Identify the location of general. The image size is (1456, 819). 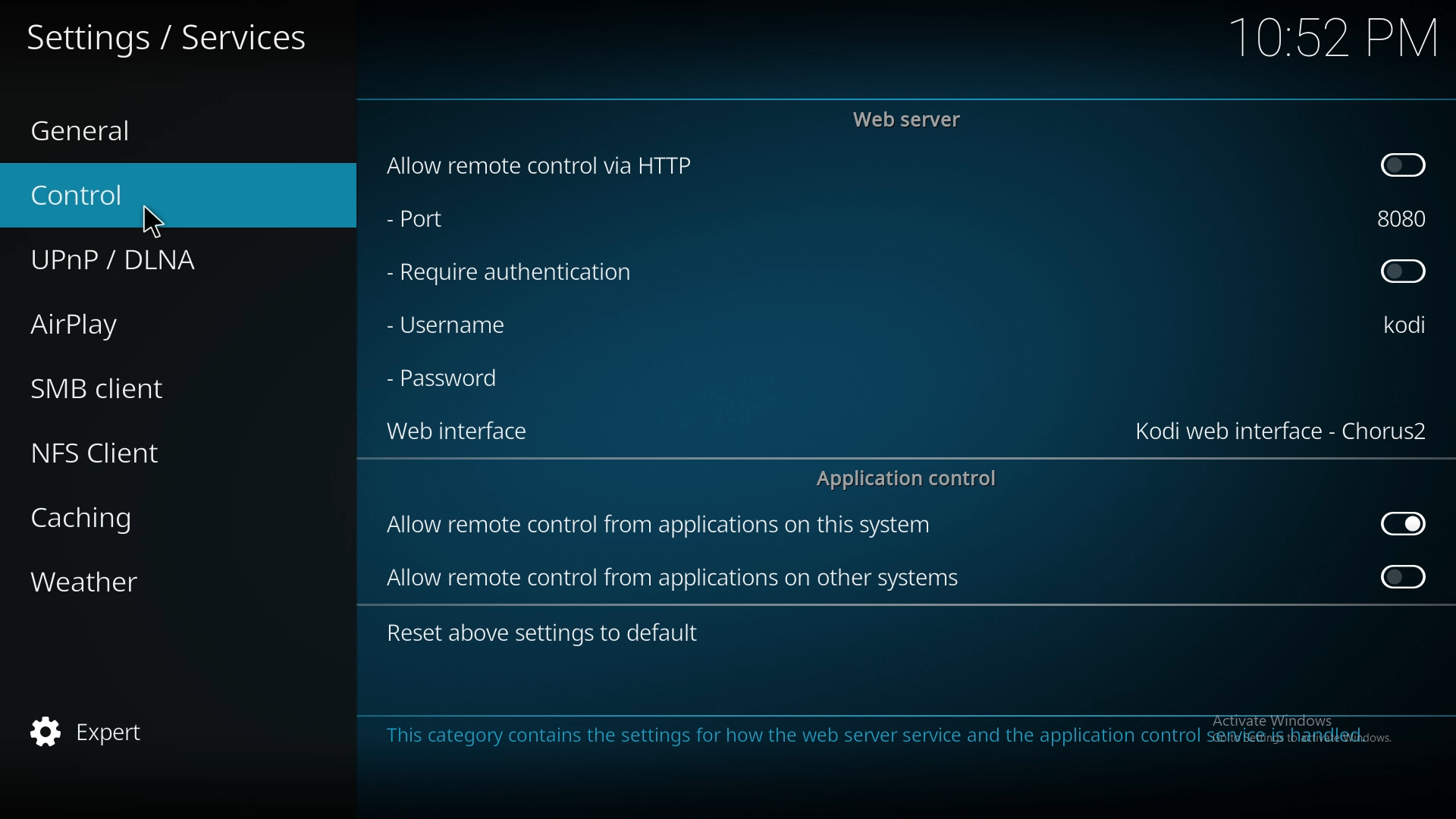
(160, 132).